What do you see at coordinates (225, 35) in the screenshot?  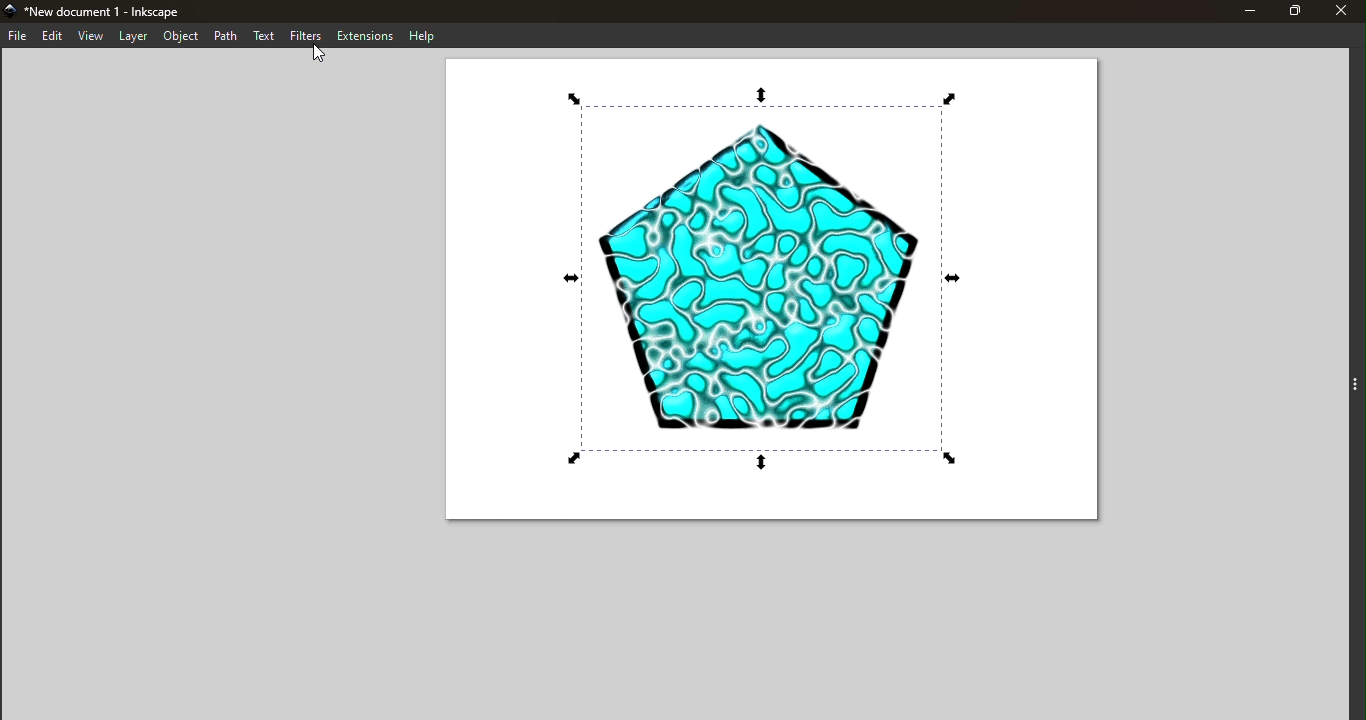 I see `Path` at bounding box center [225, 35].